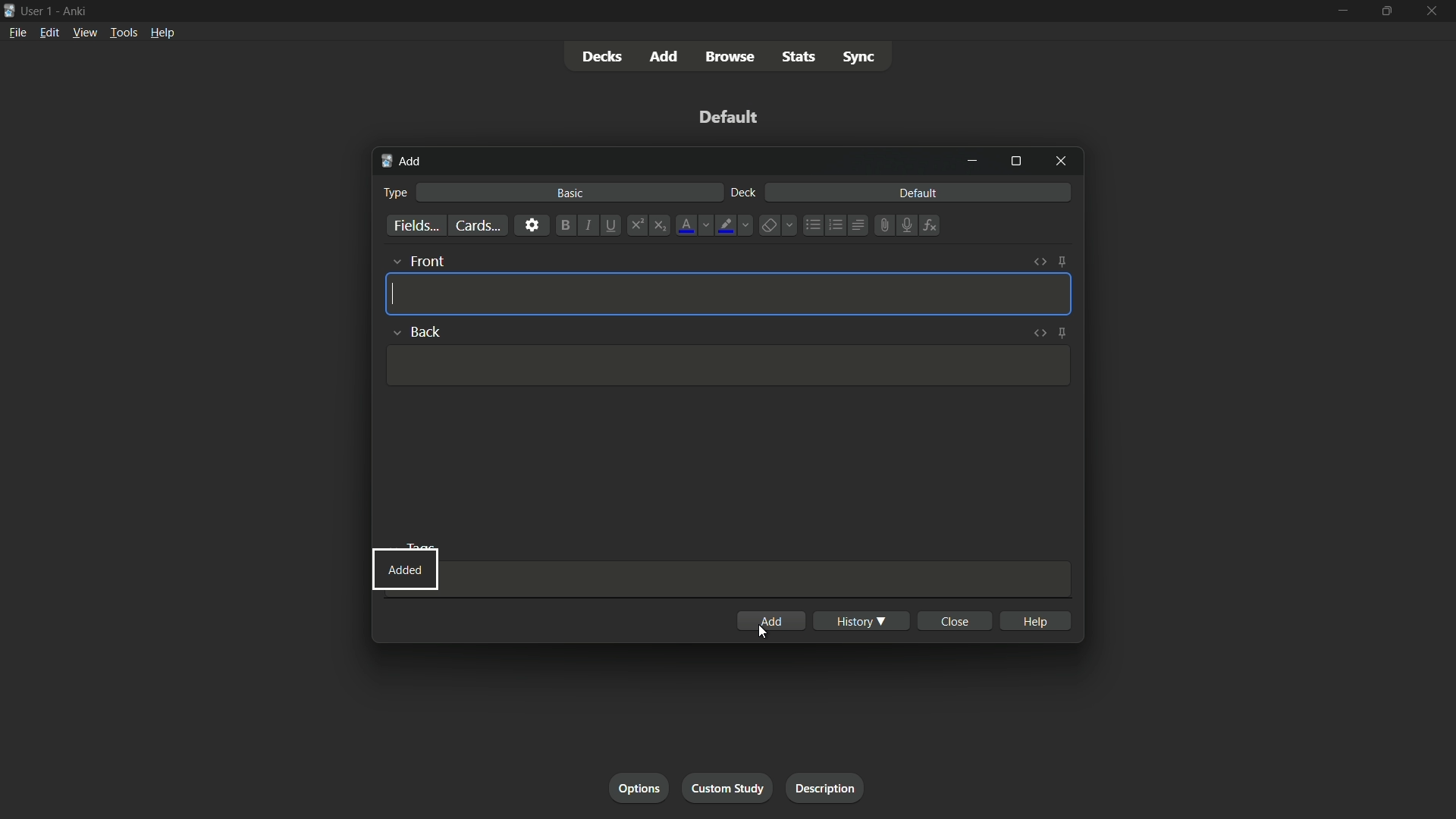 This screenshot has height=819, width=1456. I want to click on bold, so click(563, 225).